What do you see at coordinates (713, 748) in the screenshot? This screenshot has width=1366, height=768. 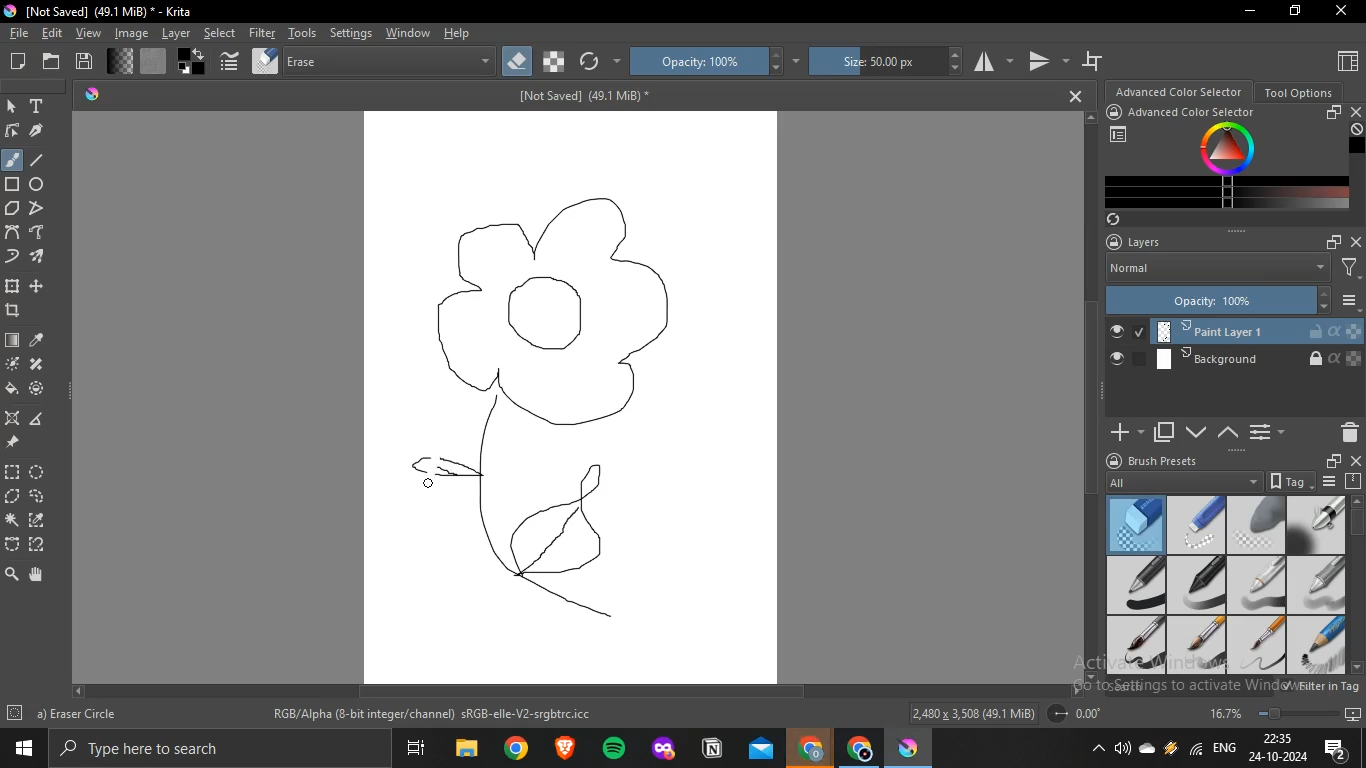 I see `Application` at bounding box center [713, 748].